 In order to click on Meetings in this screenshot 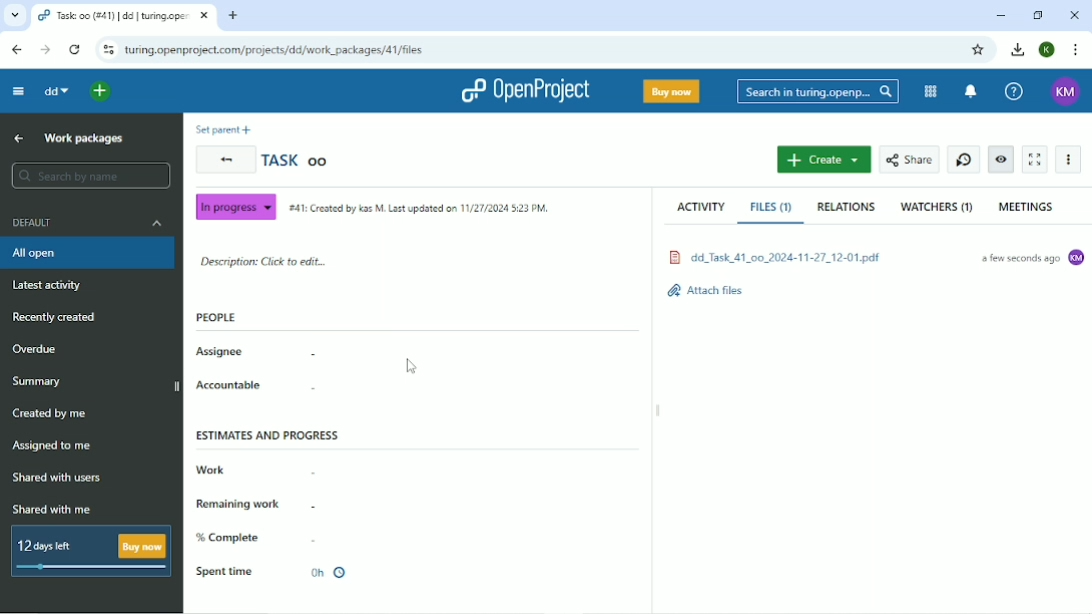, I will do `click(1021, 207)`.